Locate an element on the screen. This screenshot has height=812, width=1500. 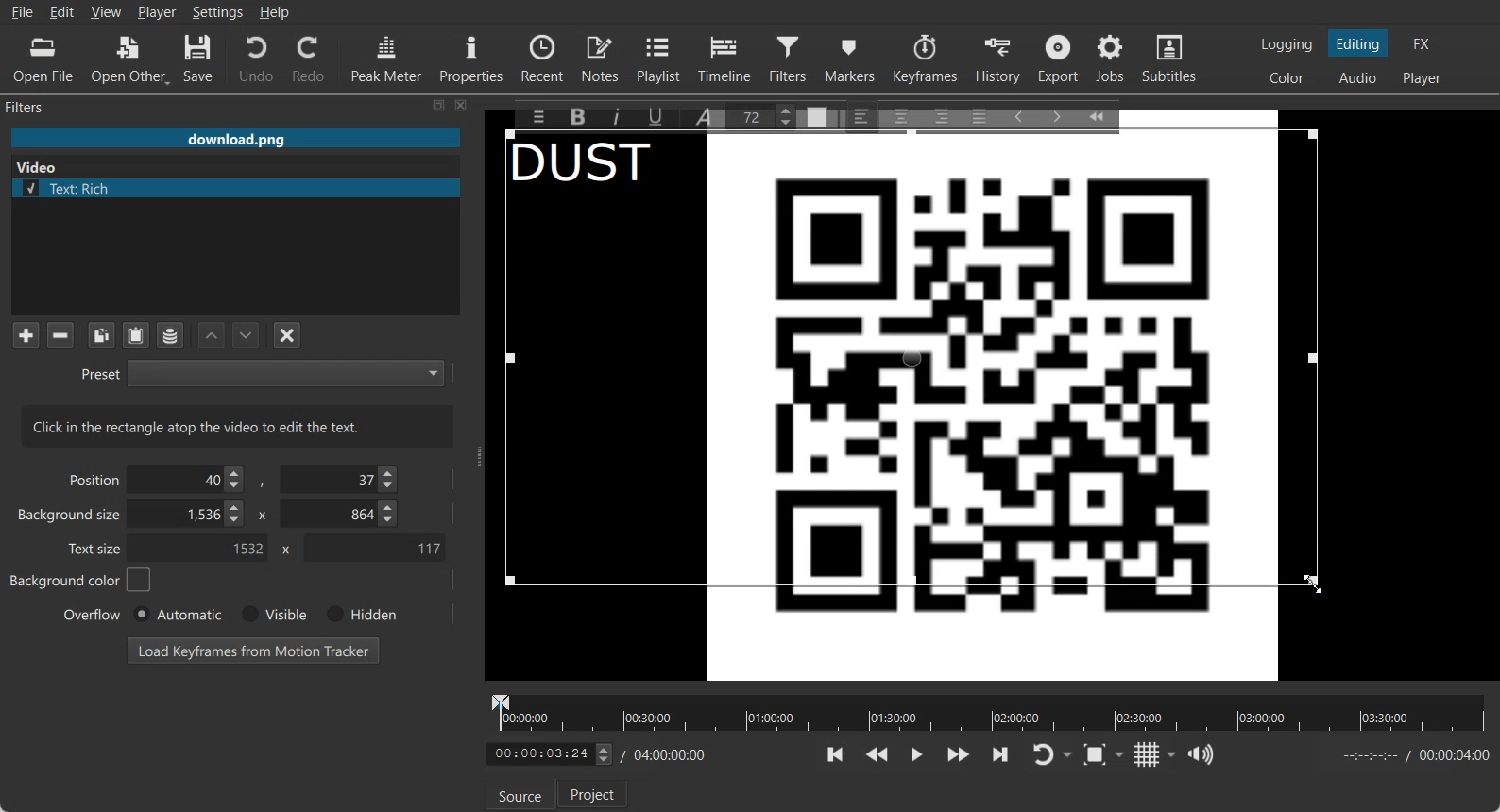
Close is located at coordinates (462, 105).